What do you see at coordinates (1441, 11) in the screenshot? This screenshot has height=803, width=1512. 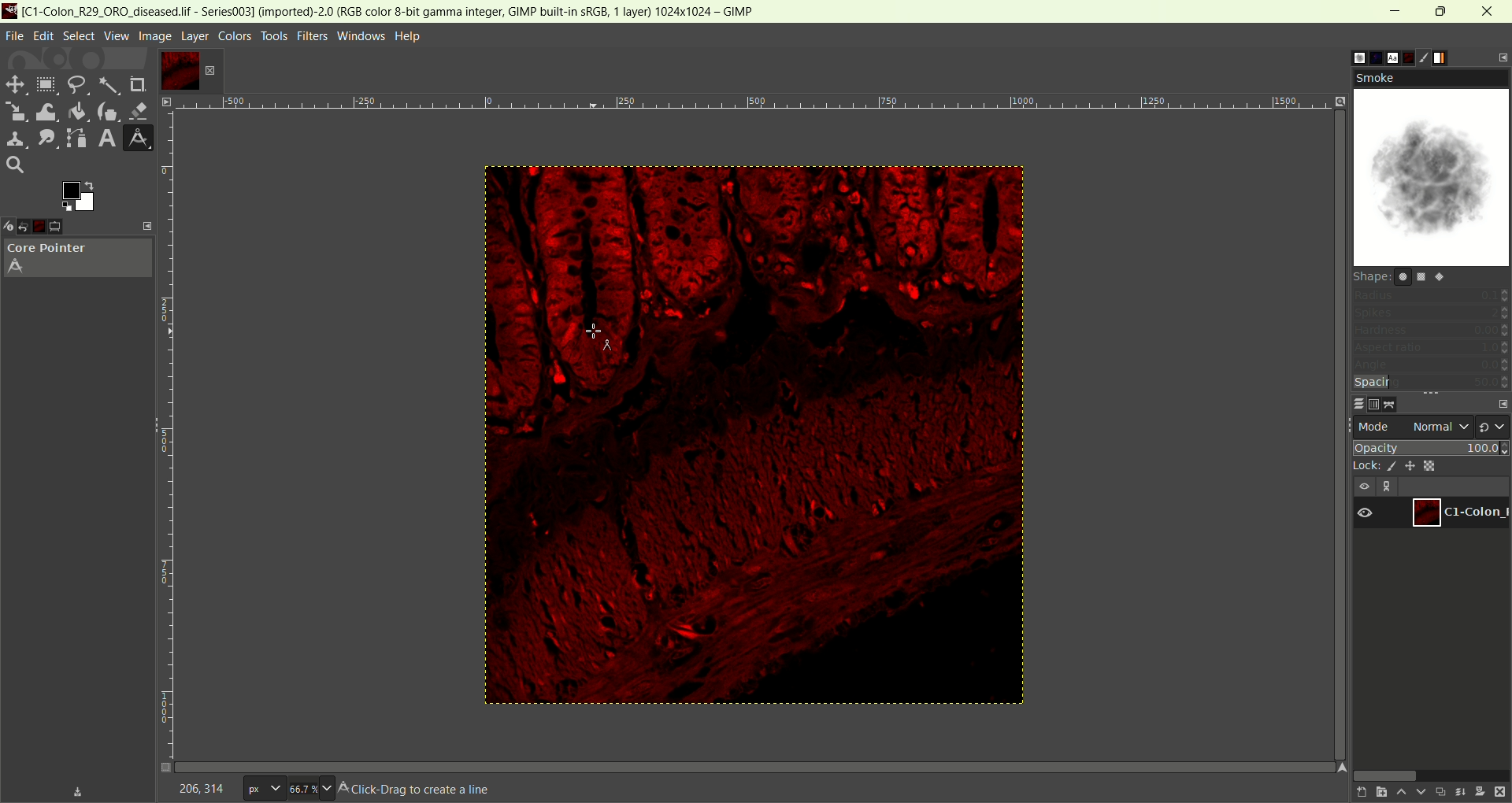 I see `maximize` at bounding box center [1441, 11].